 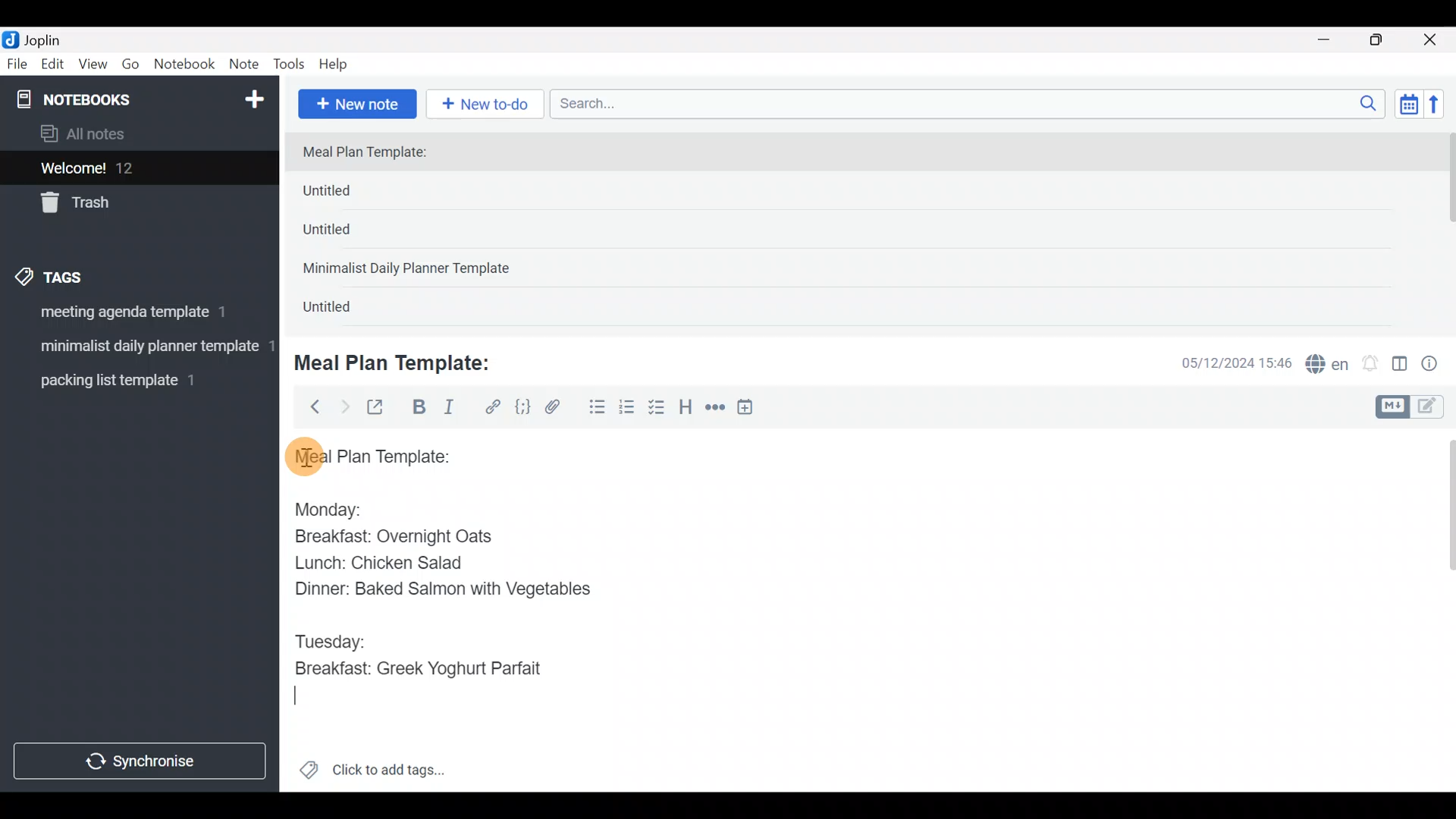 What do you see at coordinates (1408, 105) in the screenshot?
I see `Toggle sort order` at bounding box center [1408, 105].